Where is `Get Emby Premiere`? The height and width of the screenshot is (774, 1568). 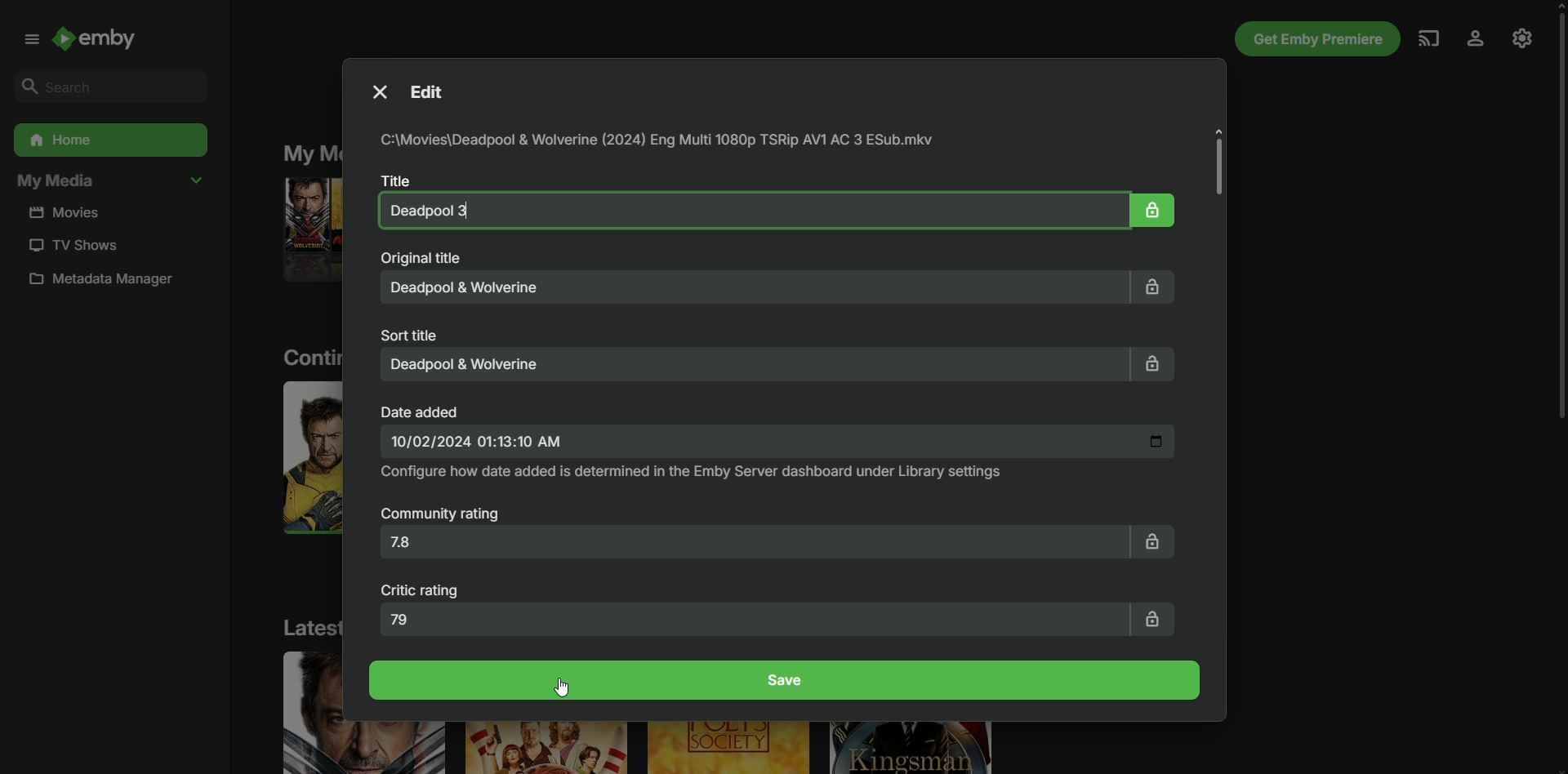 Get Emby Premiere is located at coordinates (1314, 39).